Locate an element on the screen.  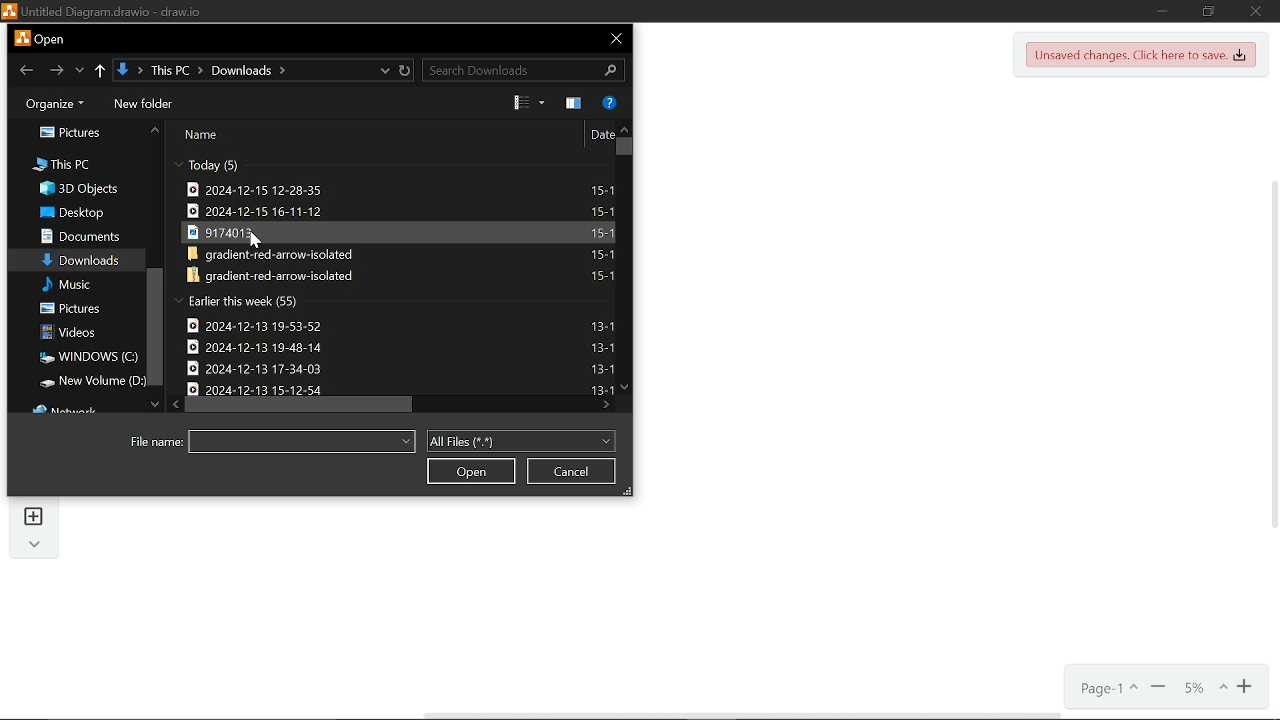
Move down in folders is located at coordinates (154, 405).